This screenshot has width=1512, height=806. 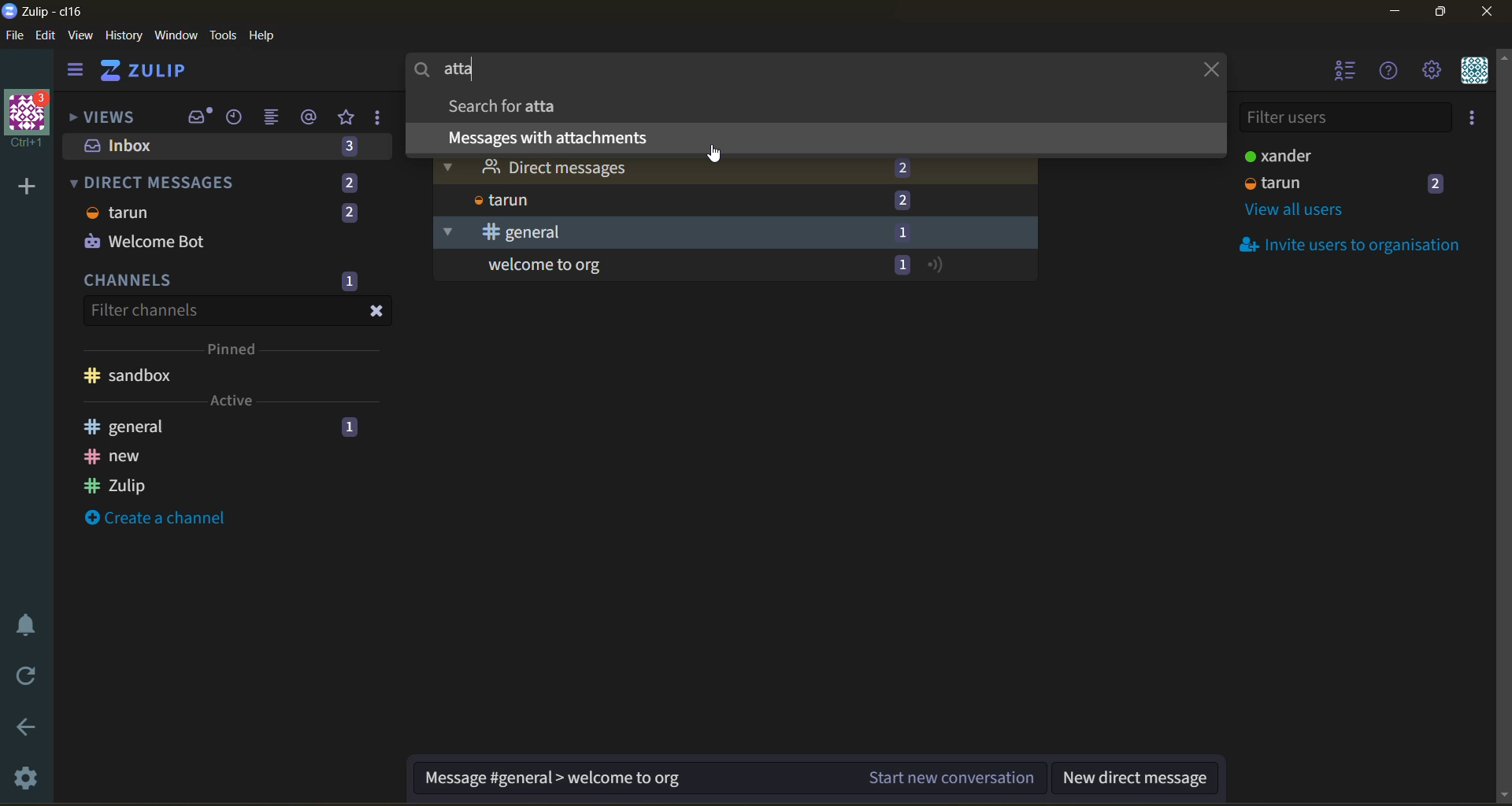 What do you see at coordinates (1274, 183) in the screenshot?
I see `tarun` at bounding box center [1274, 183].